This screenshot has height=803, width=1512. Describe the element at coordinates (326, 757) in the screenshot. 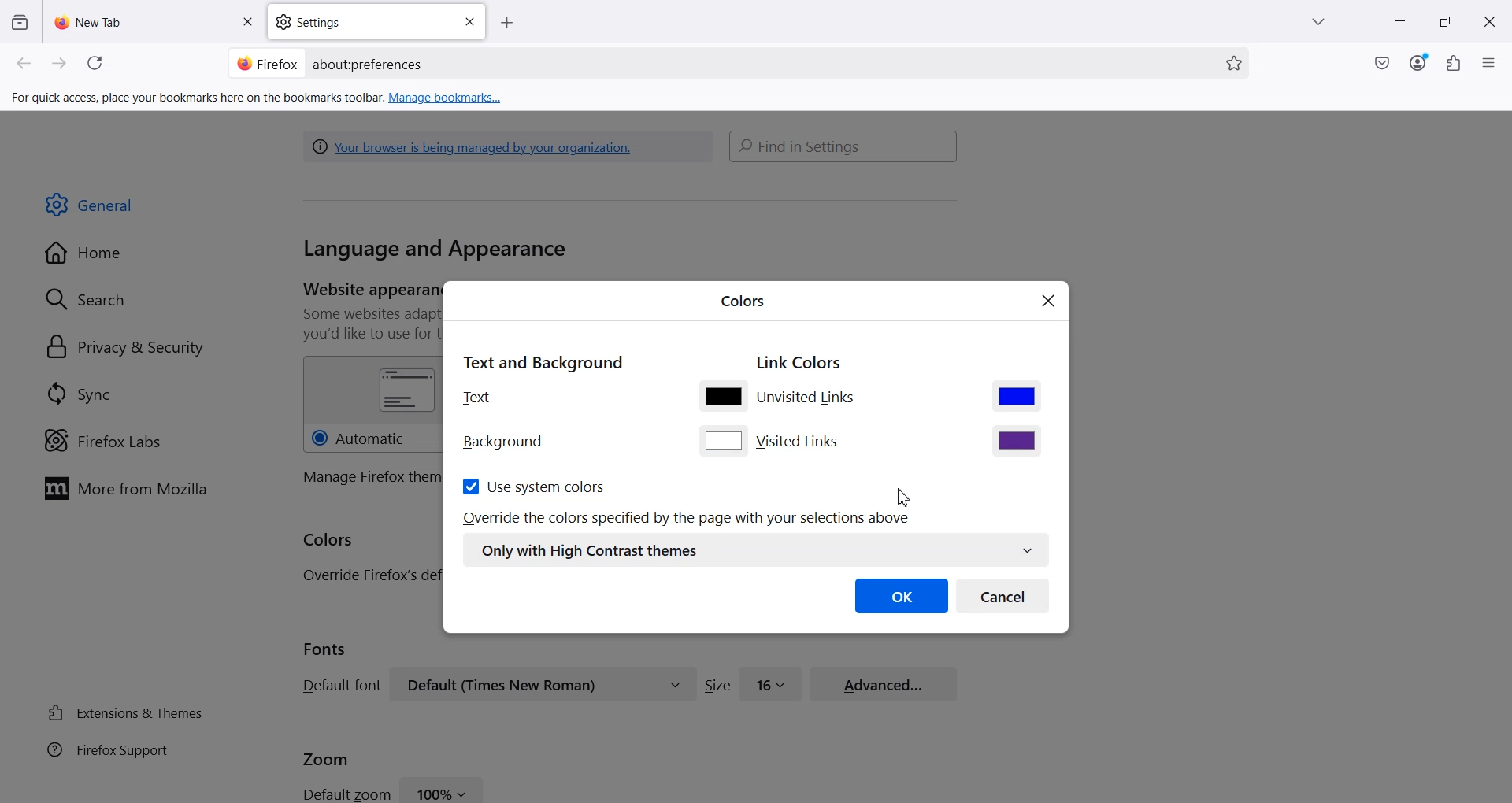

I see `Zoom` at that location.